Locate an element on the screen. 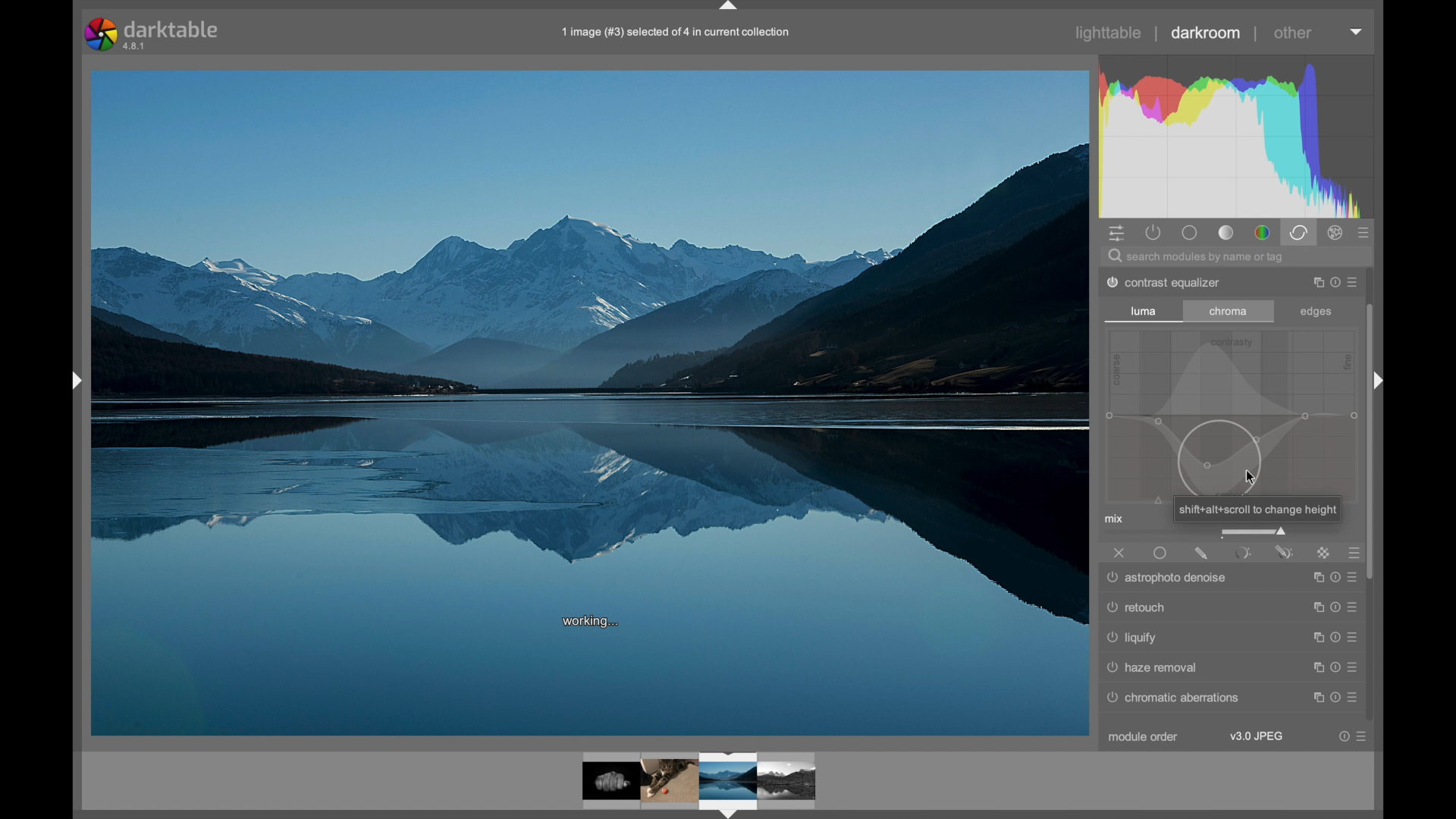 This screenshot has width=1456, height=819. lighttable is located at coordinates (1109, 33).